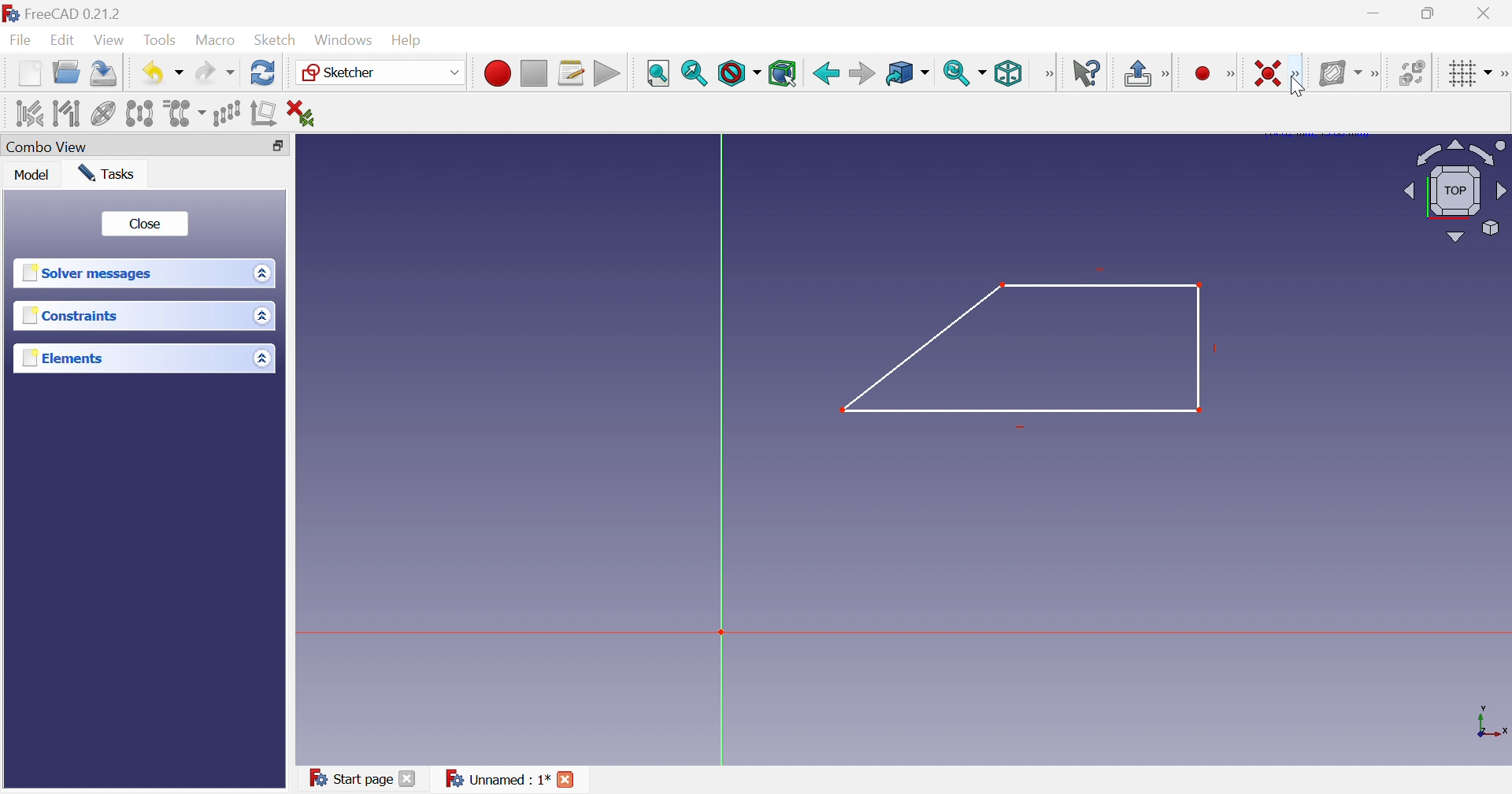 Image resolution: width=1512 pixels, height=794 pixels. I want to click on Close, so click(145, 222).